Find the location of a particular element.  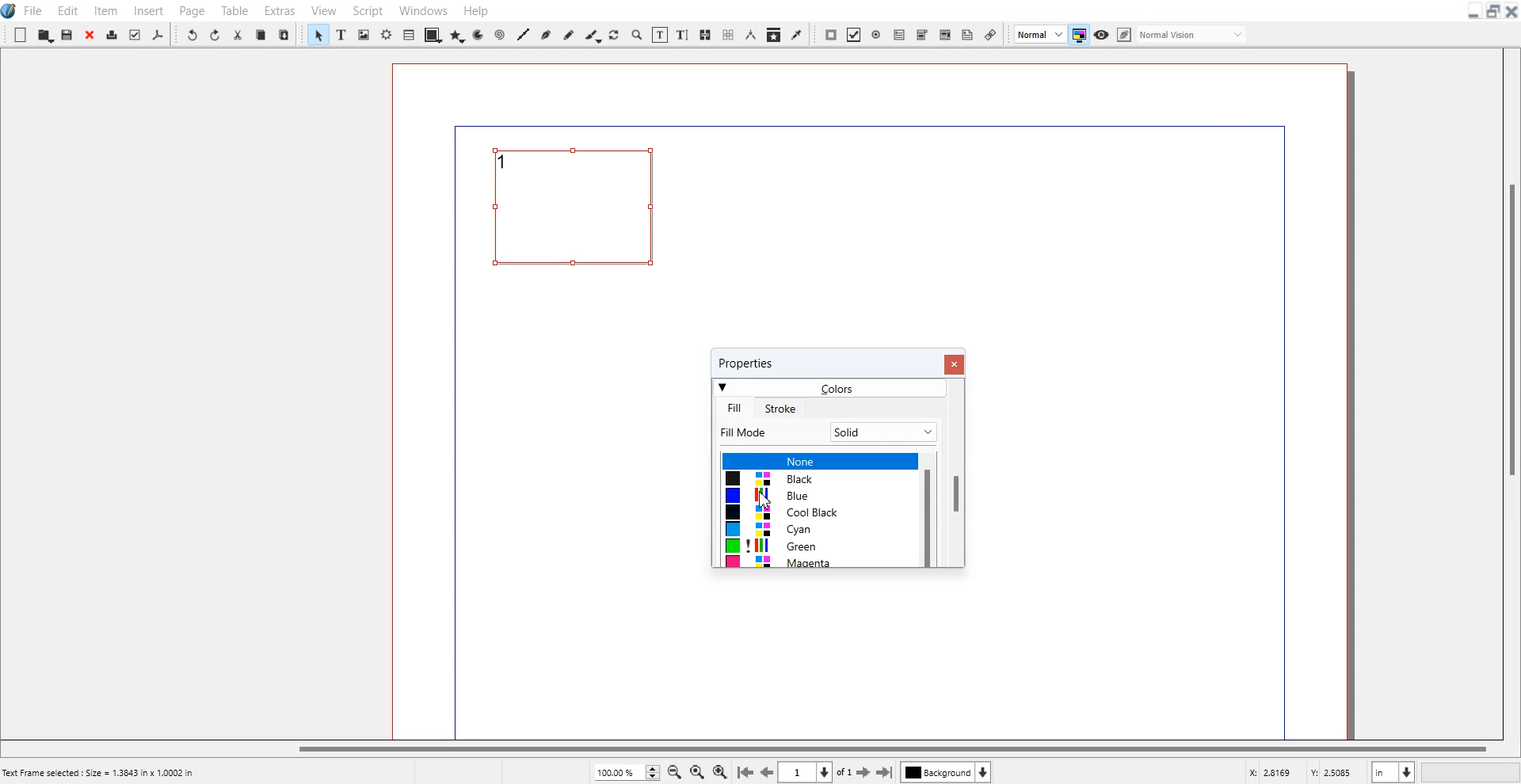

Horizontal Scroll bar is located at coordinates (748, 750).